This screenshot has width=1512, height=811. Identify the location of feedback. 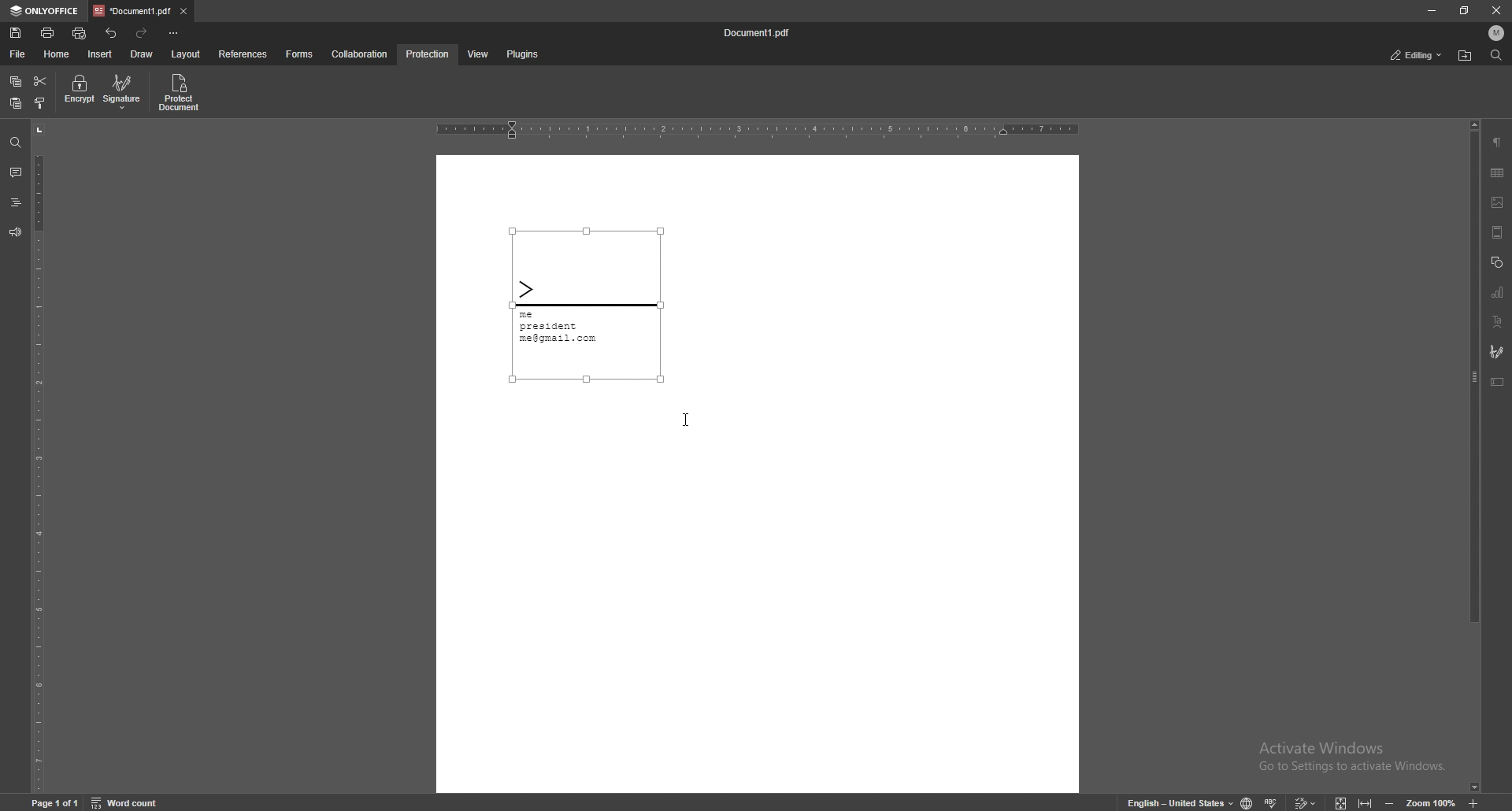
(14, 232).